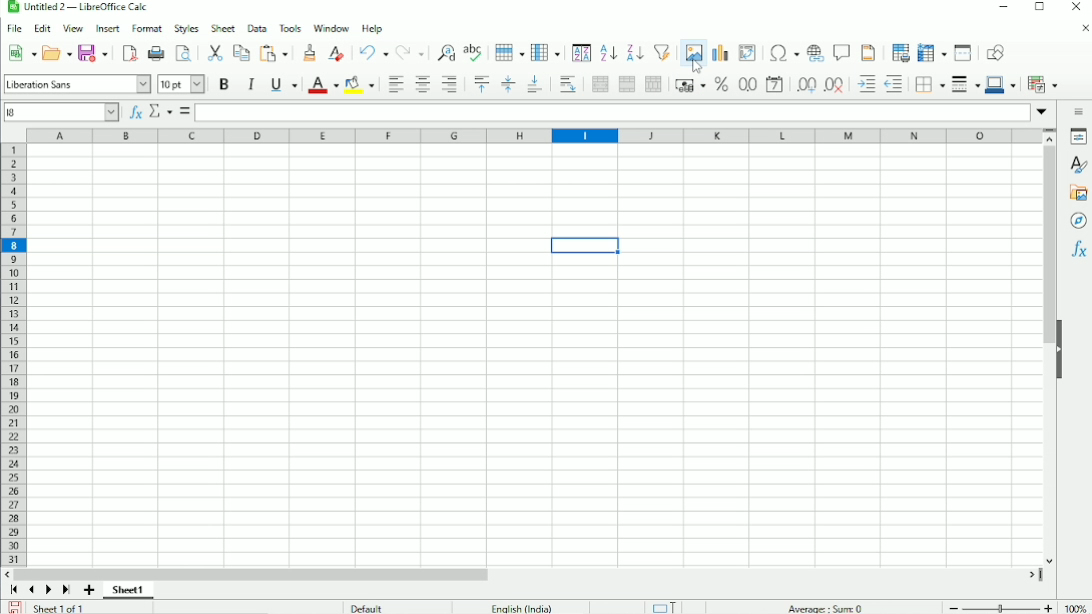  I want to click on Paste, so click(275, 52).